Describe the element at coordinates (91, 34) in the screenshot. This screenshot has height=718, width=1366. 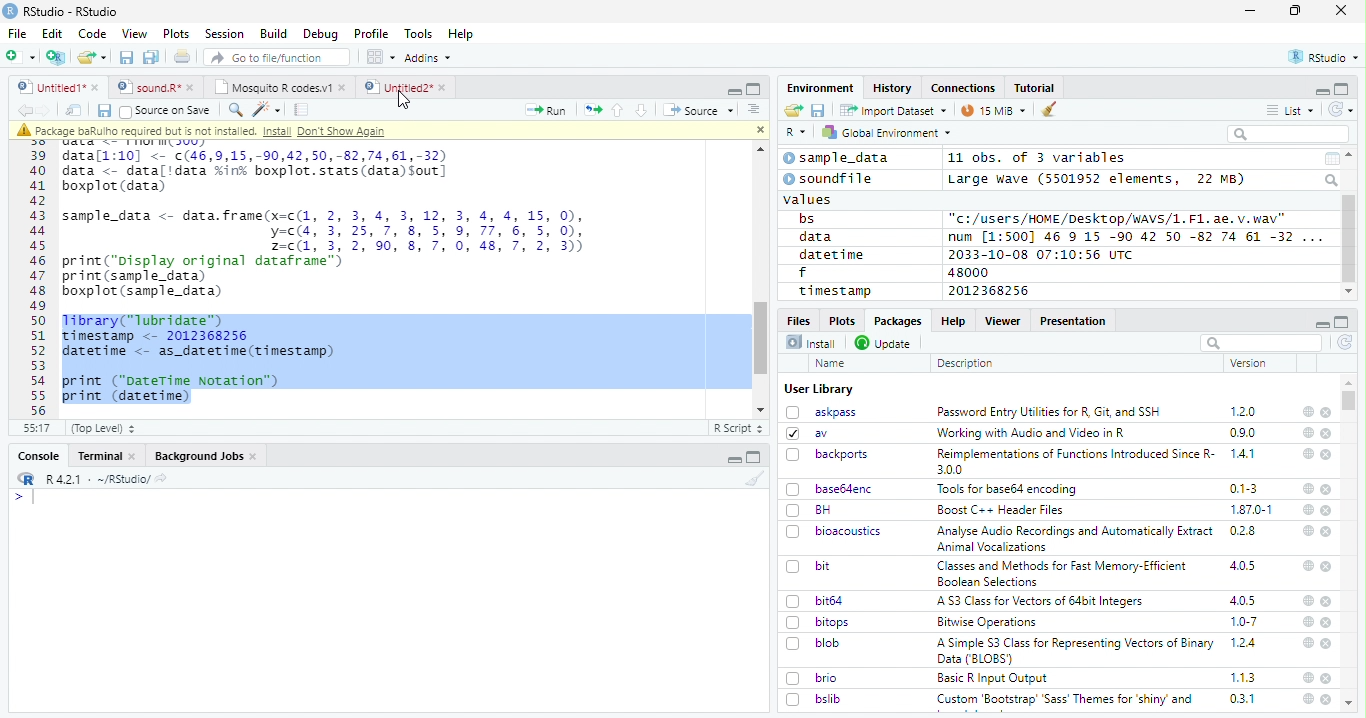
I see `Code` at that location.